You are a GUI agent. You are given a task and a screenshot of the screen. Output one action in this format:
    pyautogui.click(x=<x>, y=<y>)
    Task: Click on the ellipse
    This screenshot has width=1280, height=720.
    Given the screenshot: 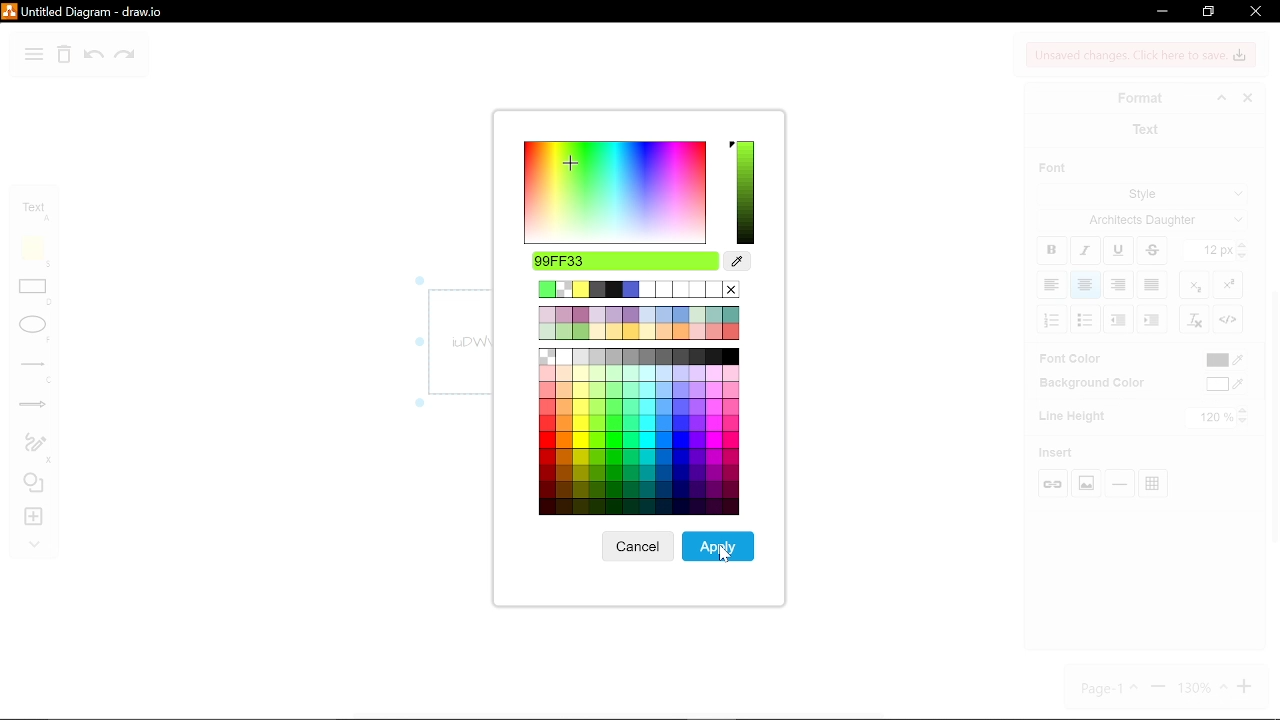 What is the action you would take?
    pyautogui.click(x=29, y=327)
    